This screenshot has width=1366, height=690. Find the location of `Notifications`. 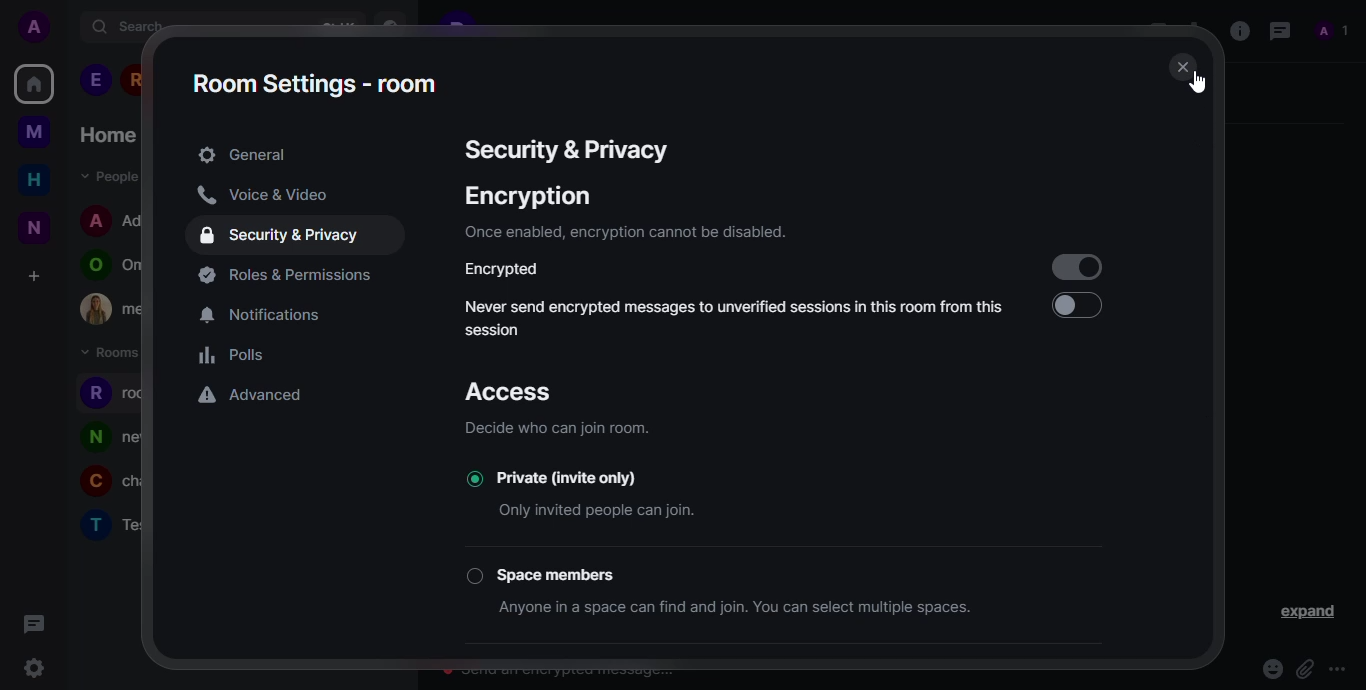

Notifications is located at coordinates (260, 313).